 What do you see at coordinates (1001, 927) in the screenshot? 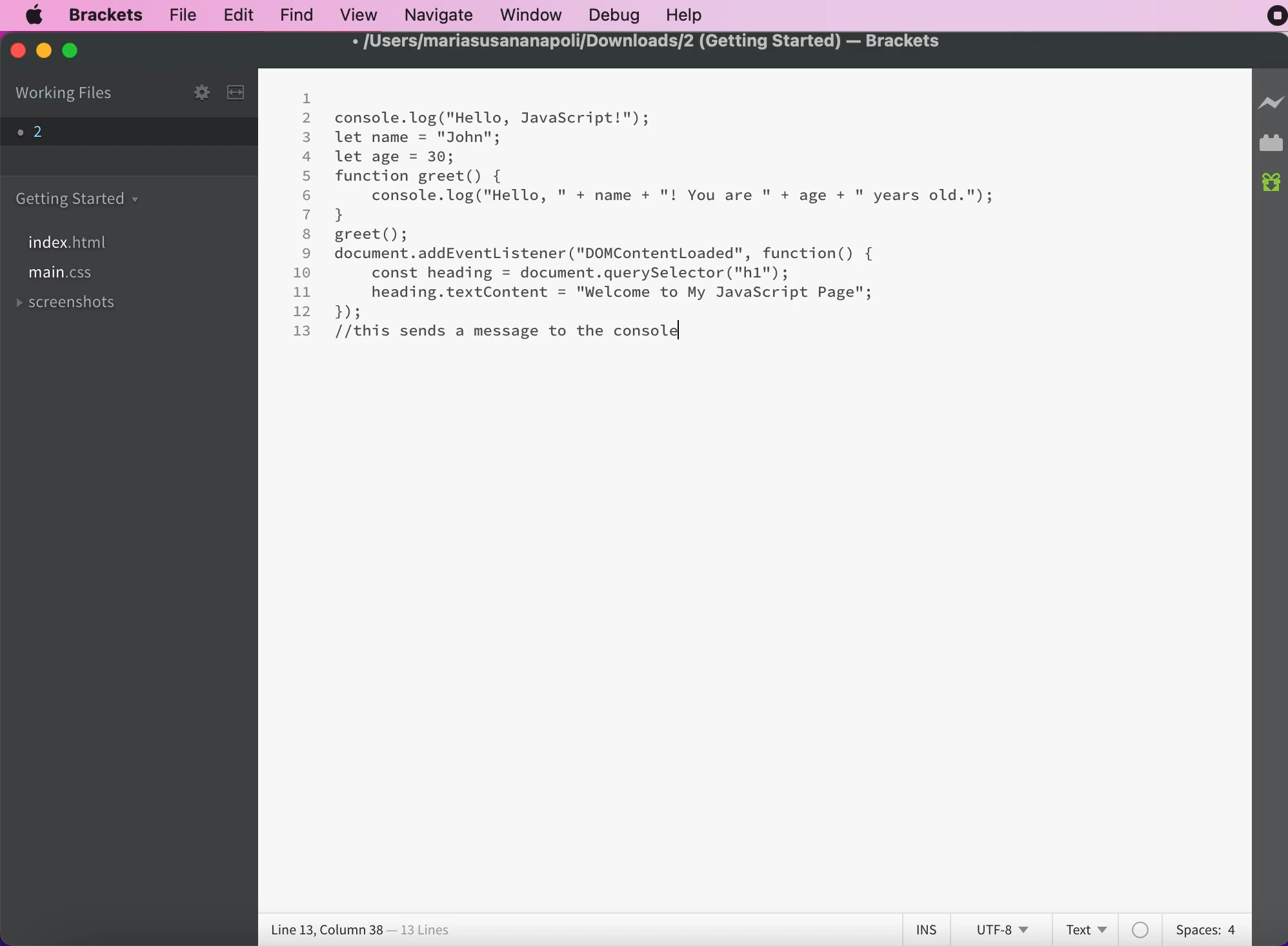
I see `utf-8` at bounding box center [1001, 927].